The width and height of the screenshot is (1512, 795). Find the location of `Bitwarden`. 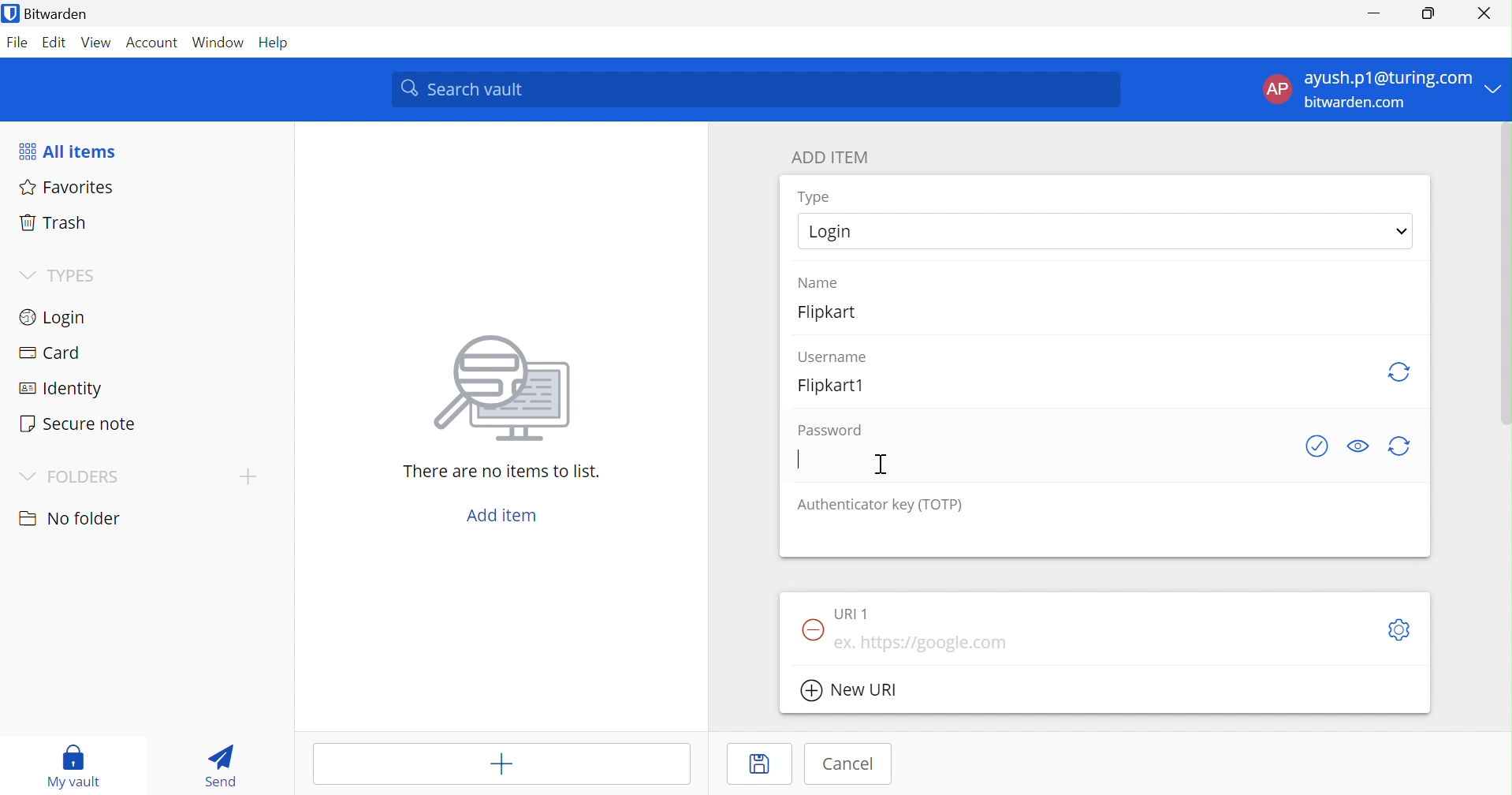

Bitwarden is located at coordinates (58, 15).